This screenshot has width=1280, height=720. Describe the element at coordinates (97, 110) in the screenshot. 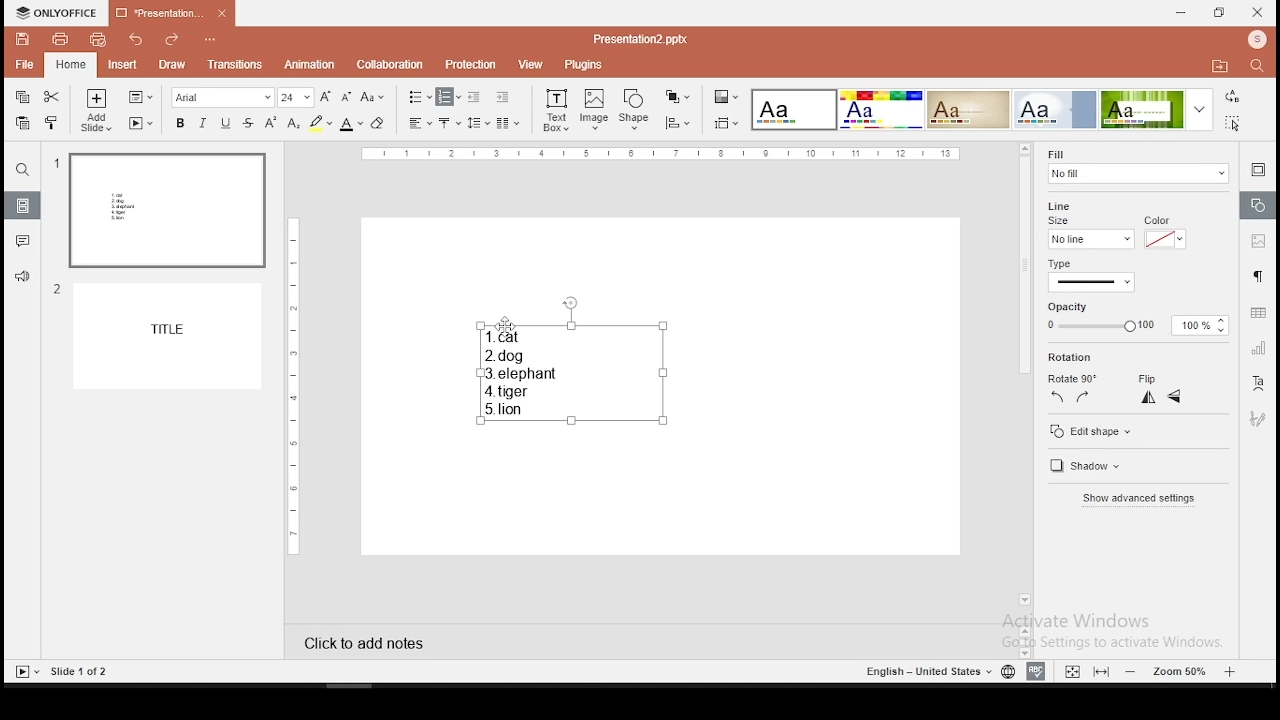

I see `add slide` at that location.